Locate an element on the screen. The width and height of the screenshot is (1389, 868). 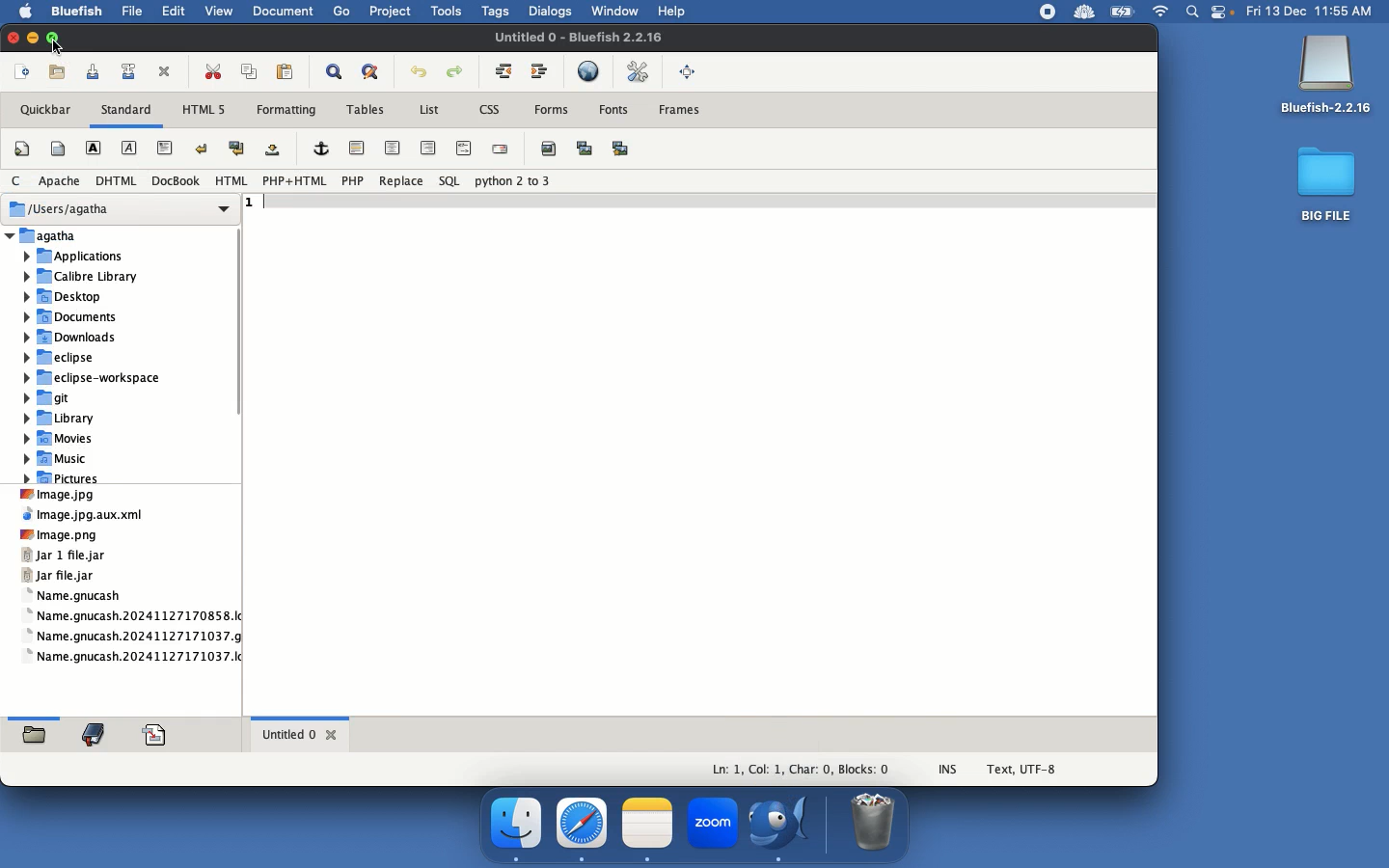
movies is located at coordinates (59, 440).